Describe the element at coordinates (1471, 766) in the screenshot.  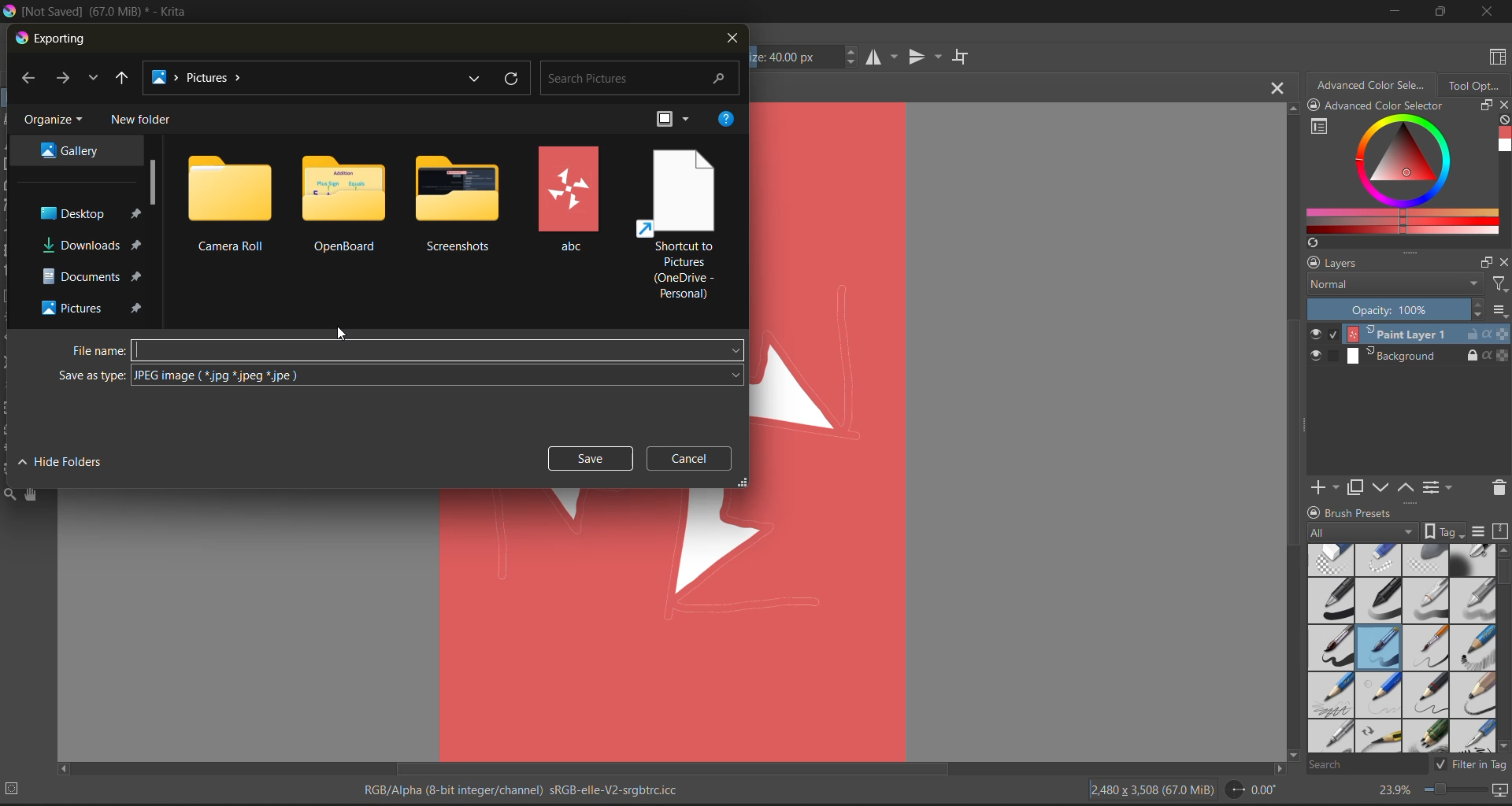
I see `filter tag` at that location.